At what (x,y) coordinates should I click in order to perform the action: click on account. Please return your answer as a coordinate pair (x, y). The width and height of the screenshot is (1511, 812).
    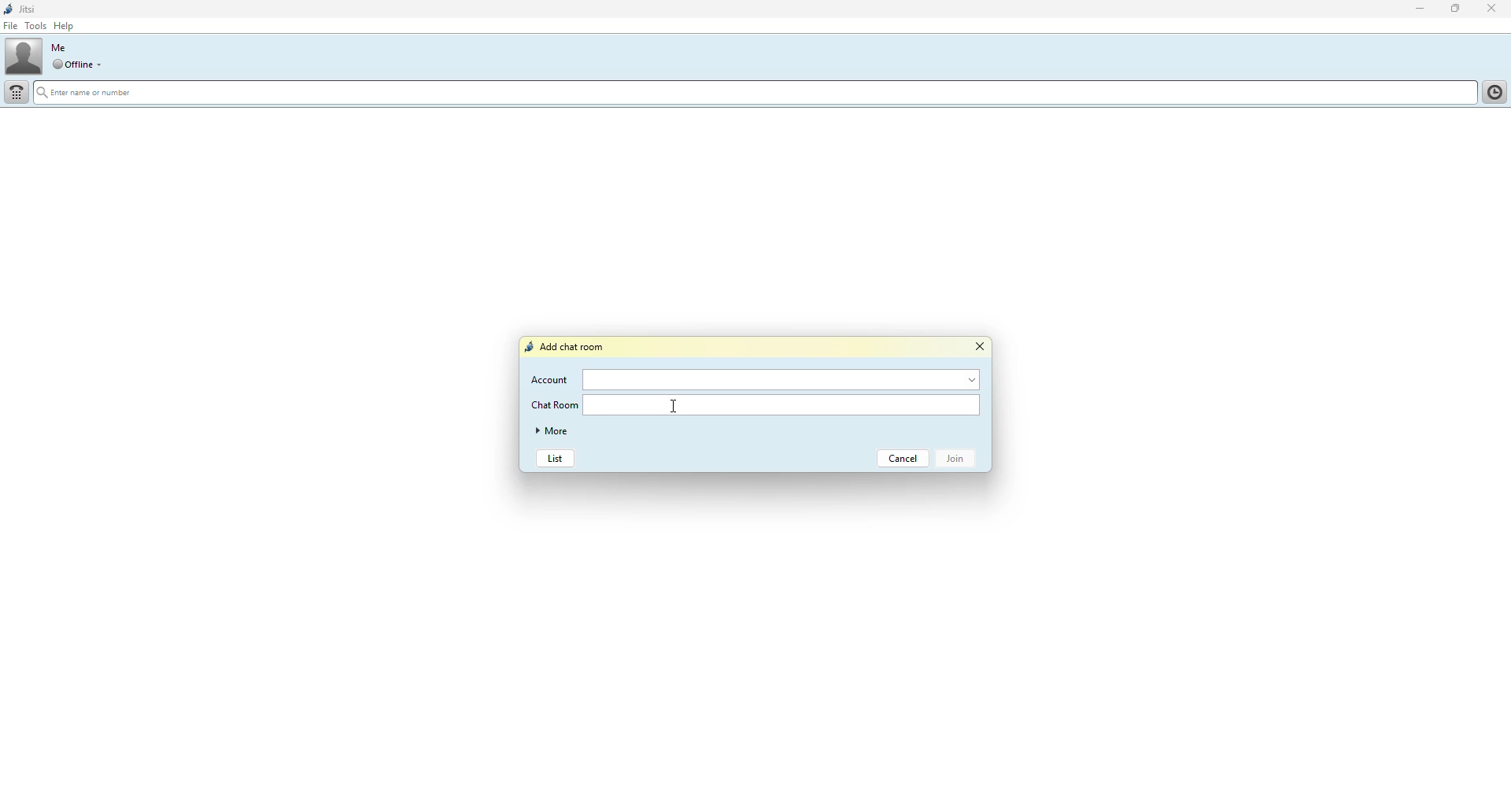
    Looking at the image, I should click on (551, 379).